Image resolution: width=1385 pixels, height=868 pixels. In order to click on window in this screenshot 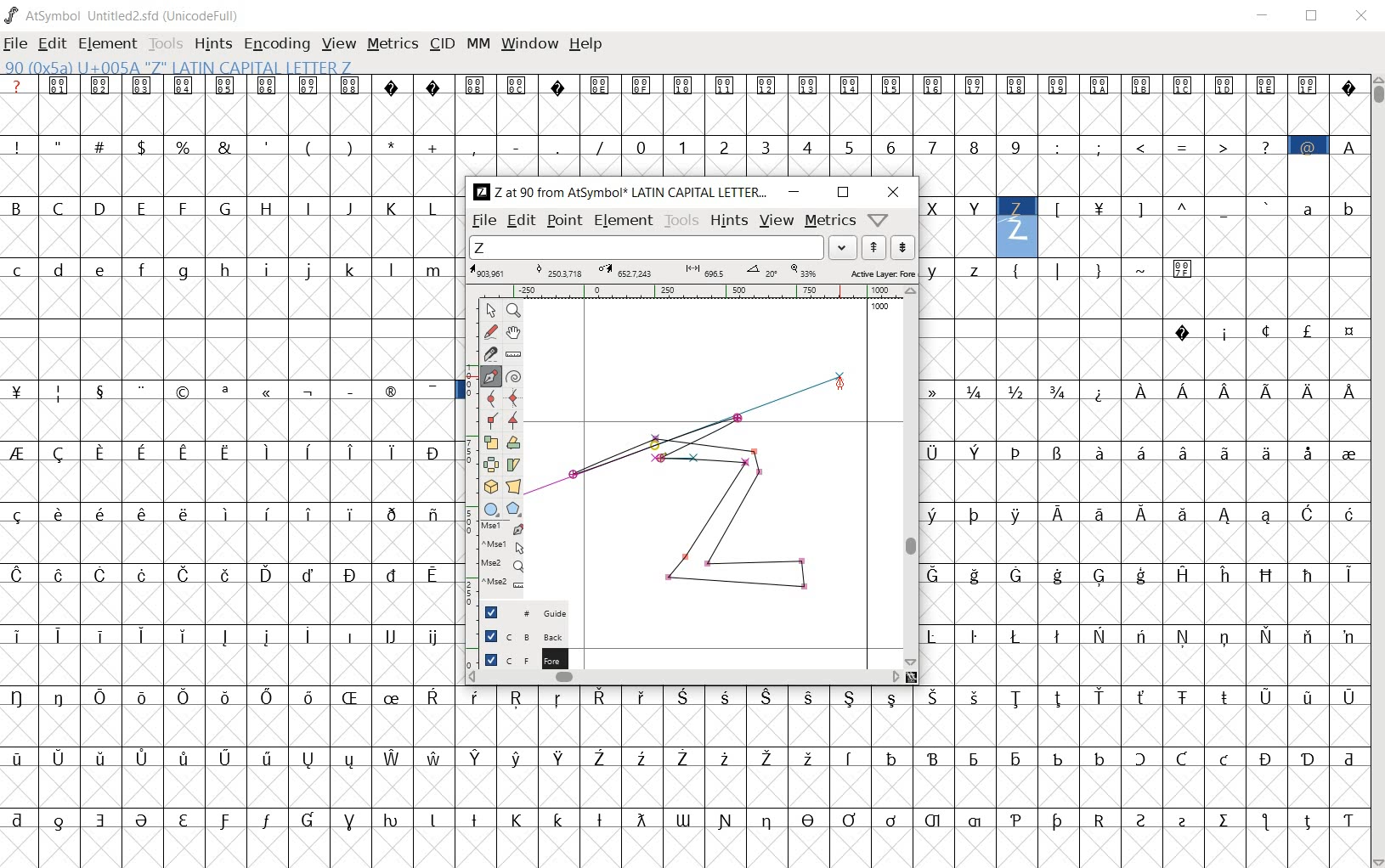, I will do `click(529, 44)`.